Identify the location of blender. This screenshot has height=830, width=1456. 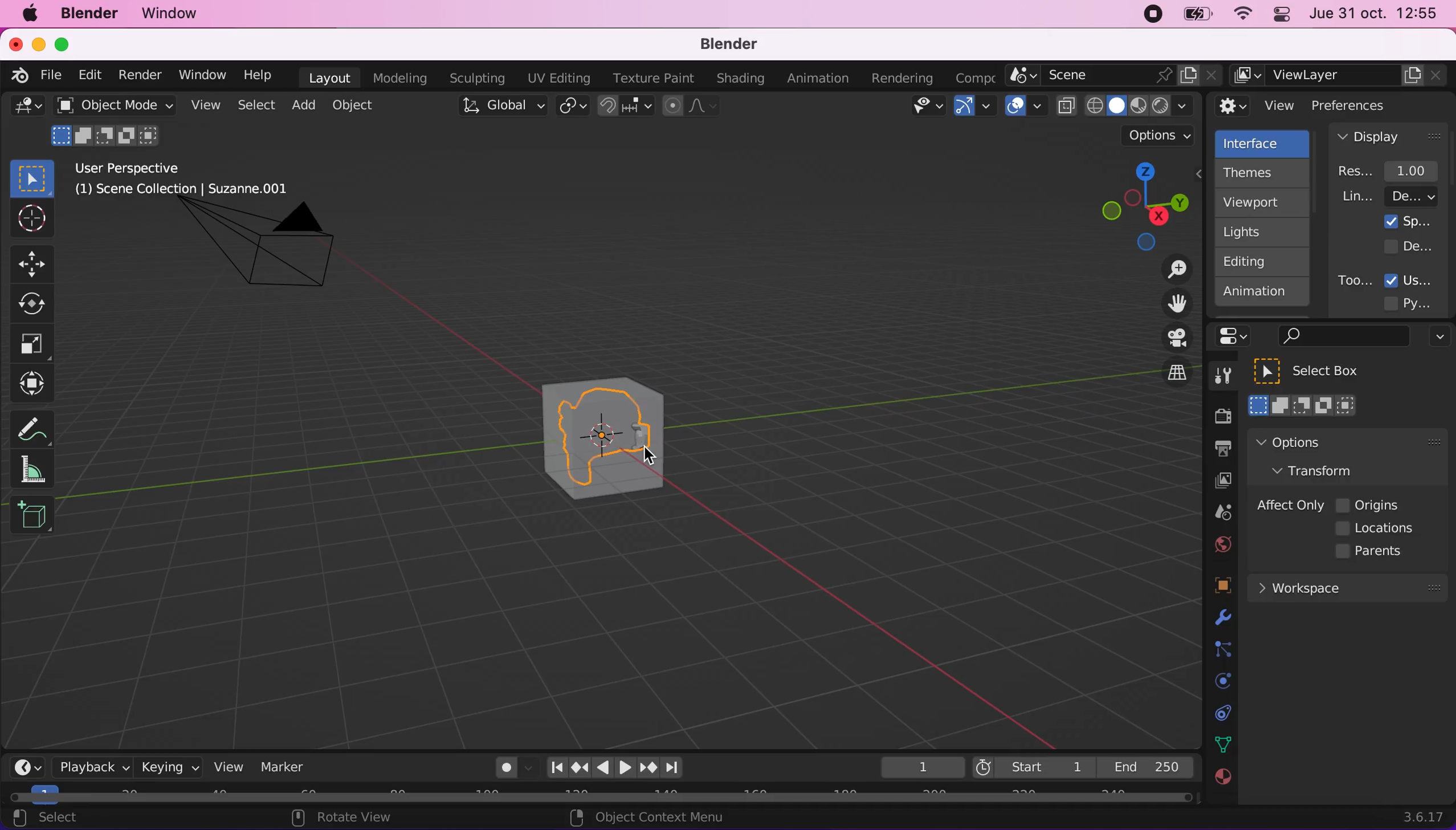
(15, 74).